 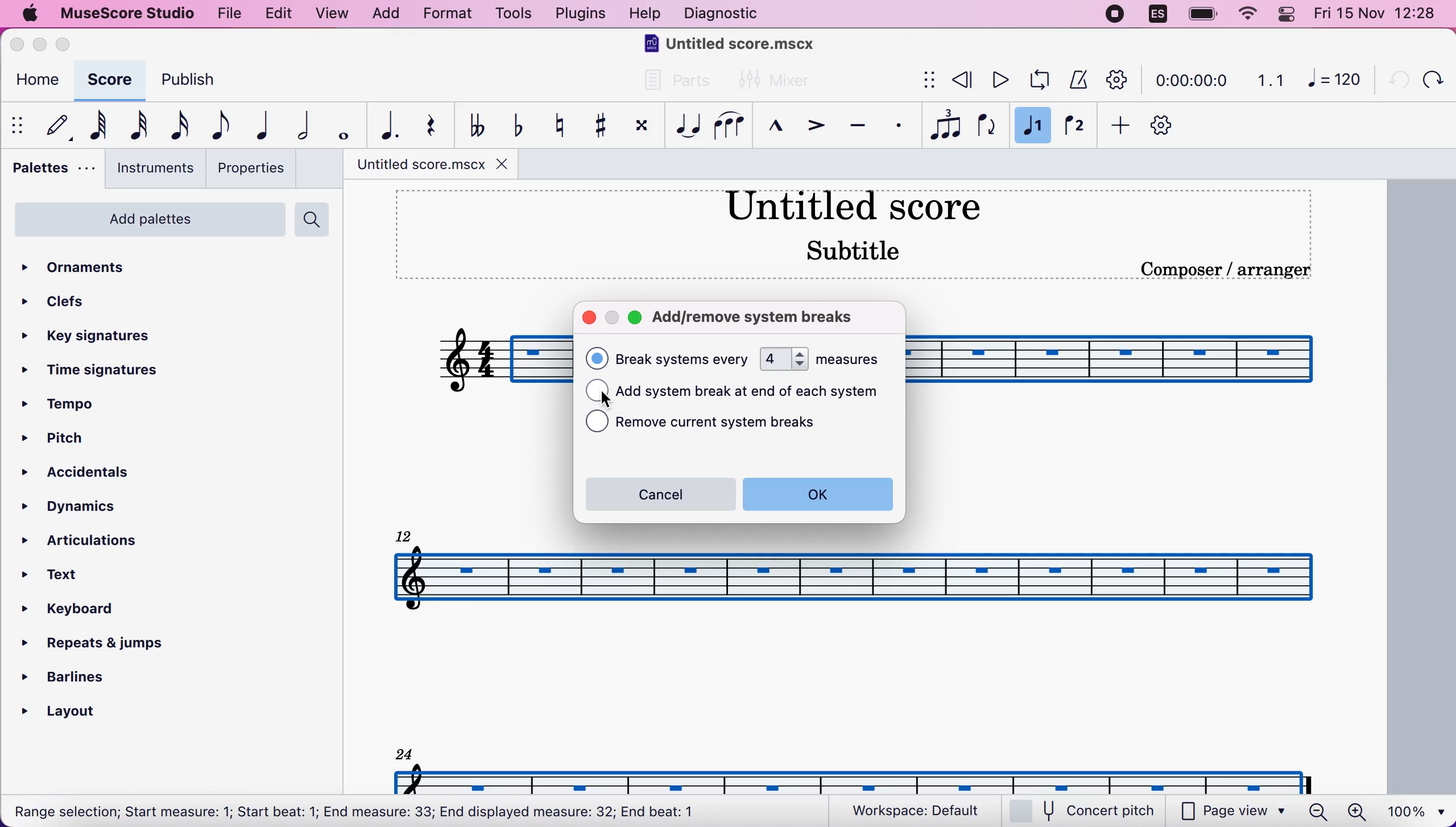 What do you see at coordinates (597, 390) in the screenshot?
I see `checkbox` at bounding box center [597, 390].